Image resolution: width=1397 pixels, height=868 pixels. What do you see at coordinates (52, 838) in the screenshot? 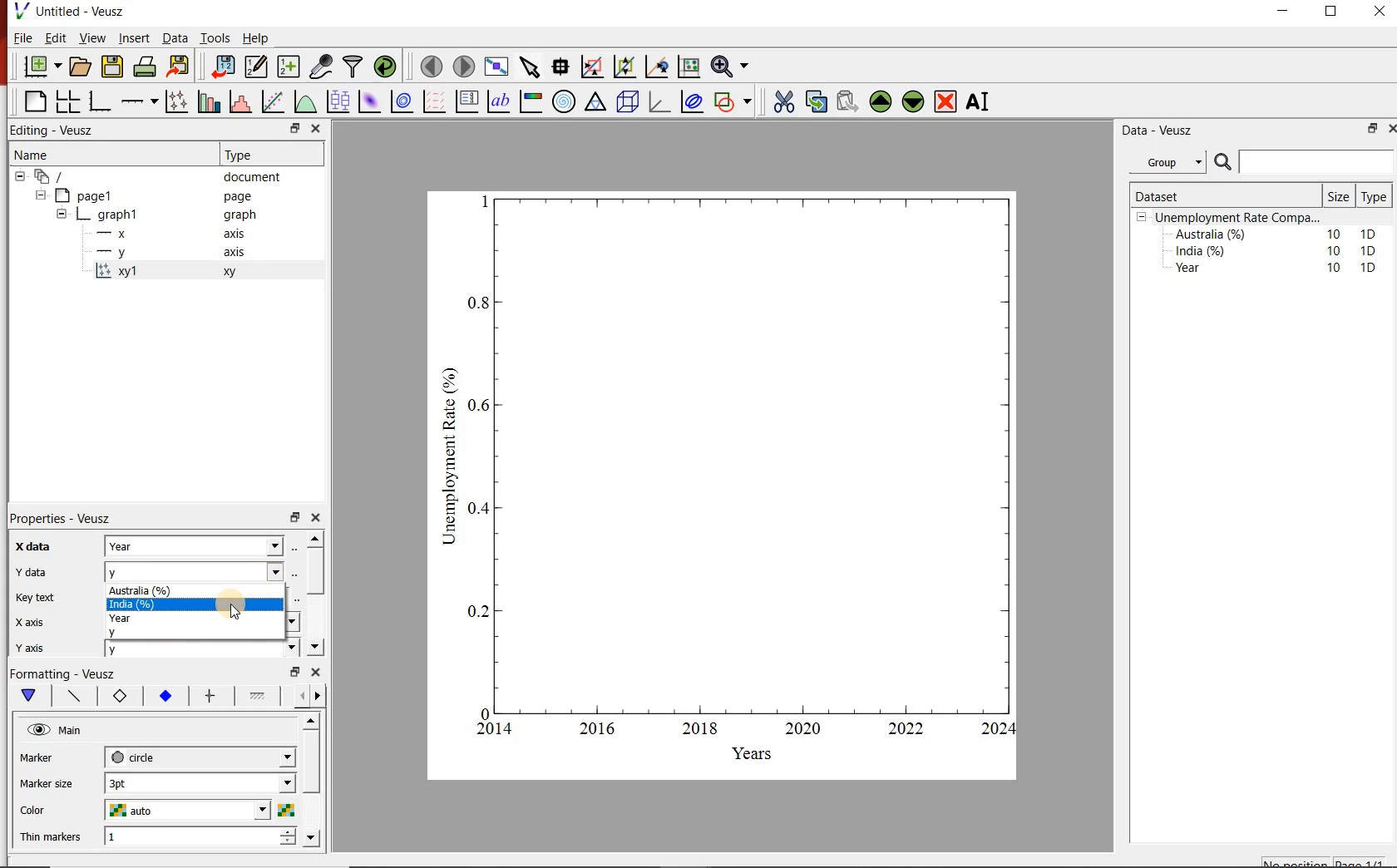
I see `Thin markers` at bounding box center [52, 838].